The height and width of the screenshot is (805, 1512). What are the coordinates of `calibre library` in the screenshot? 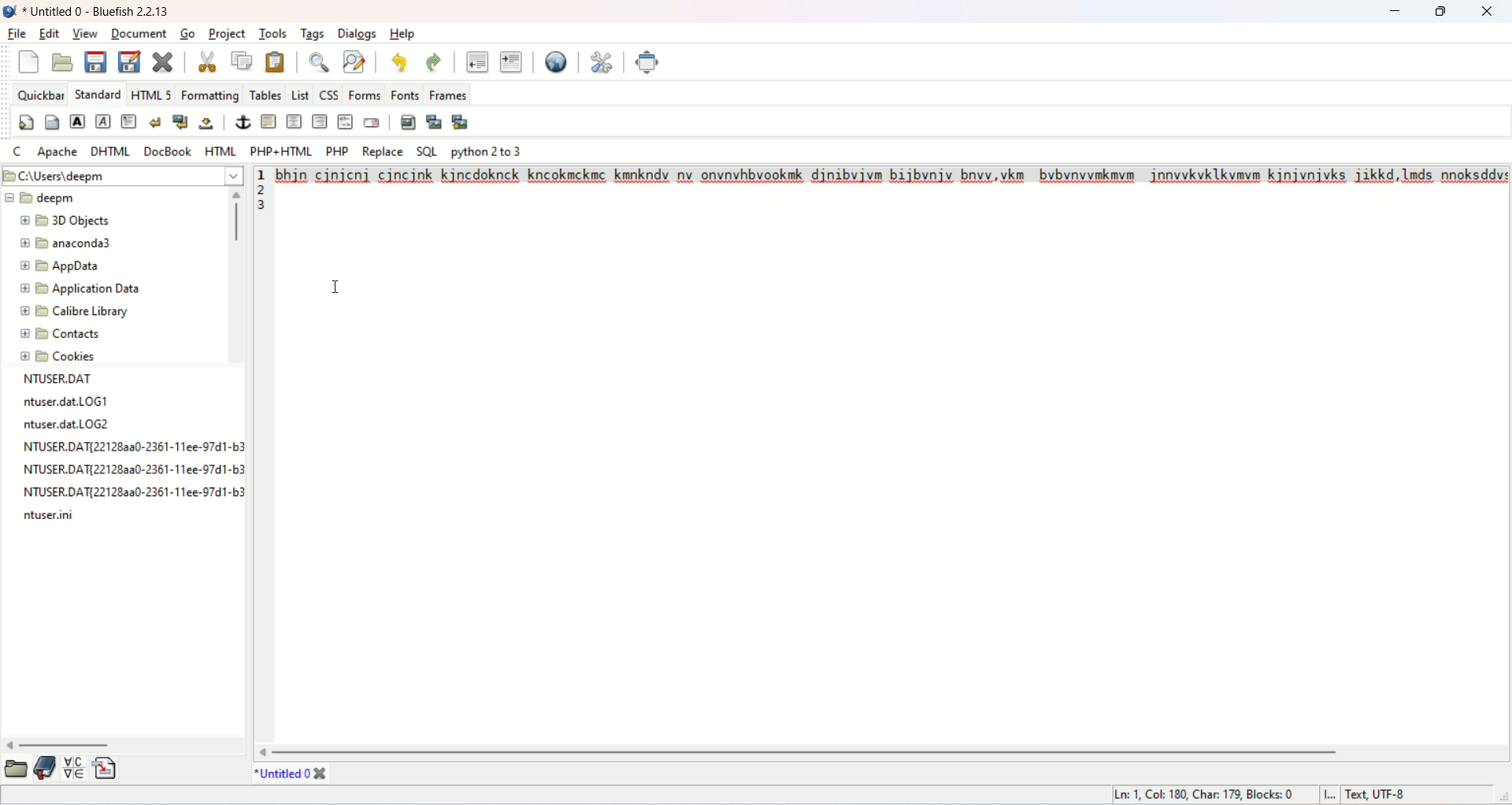 It's located at (81, 312).